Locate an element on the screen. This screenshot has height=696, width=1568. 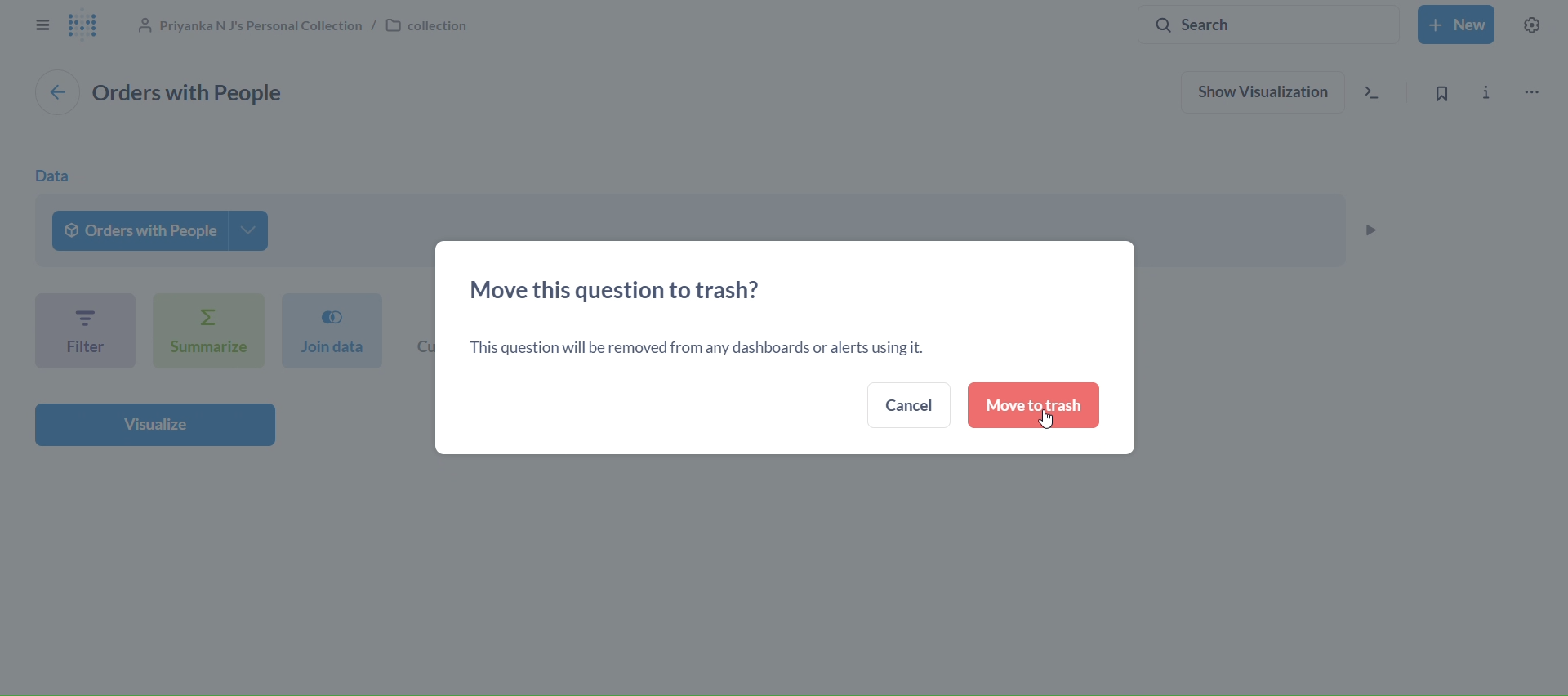
search is located at coordinates (1265, 25).